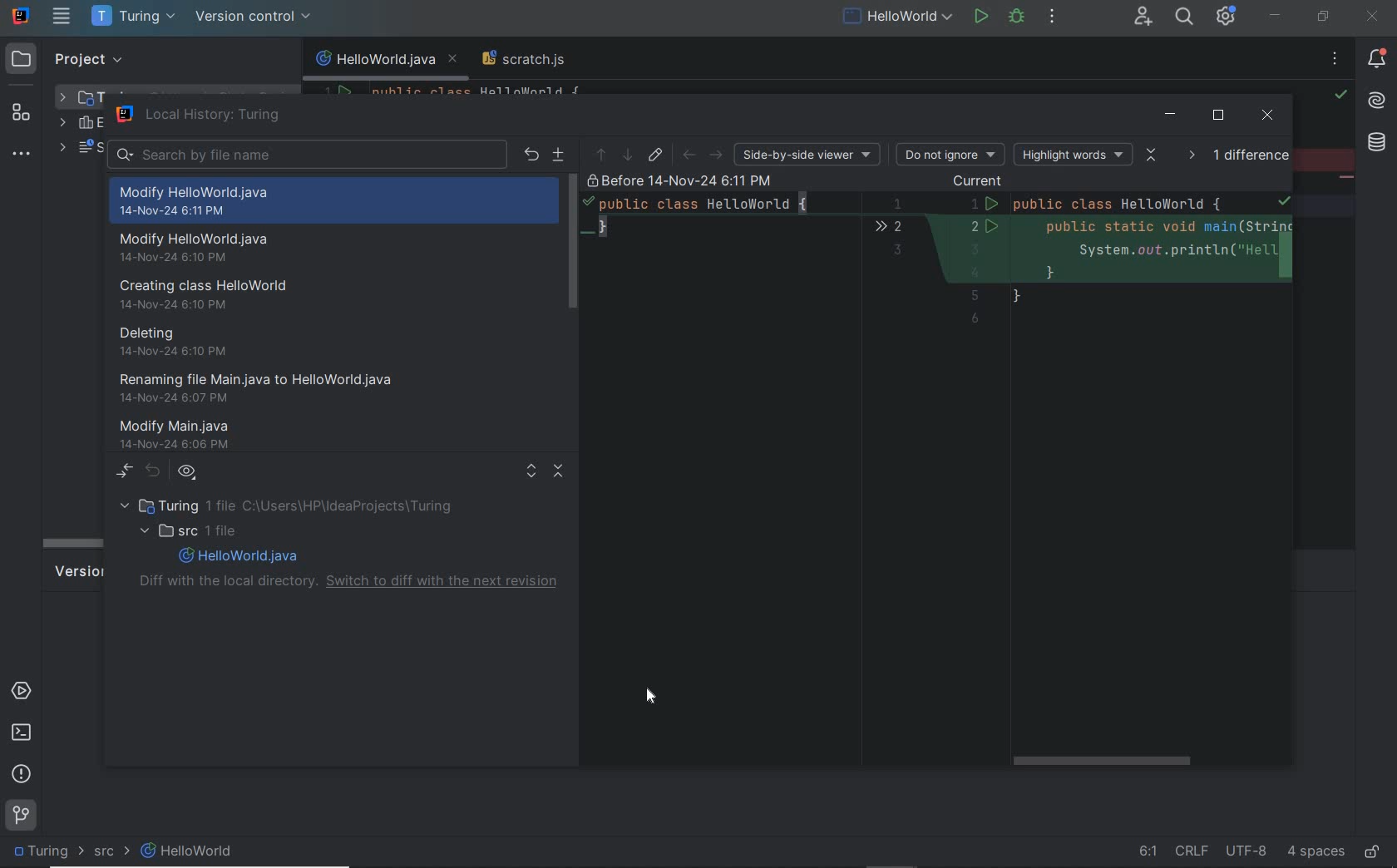 The height and width of the screenshot is (868, 1397). I want to click on main menu, so click(62, 16).